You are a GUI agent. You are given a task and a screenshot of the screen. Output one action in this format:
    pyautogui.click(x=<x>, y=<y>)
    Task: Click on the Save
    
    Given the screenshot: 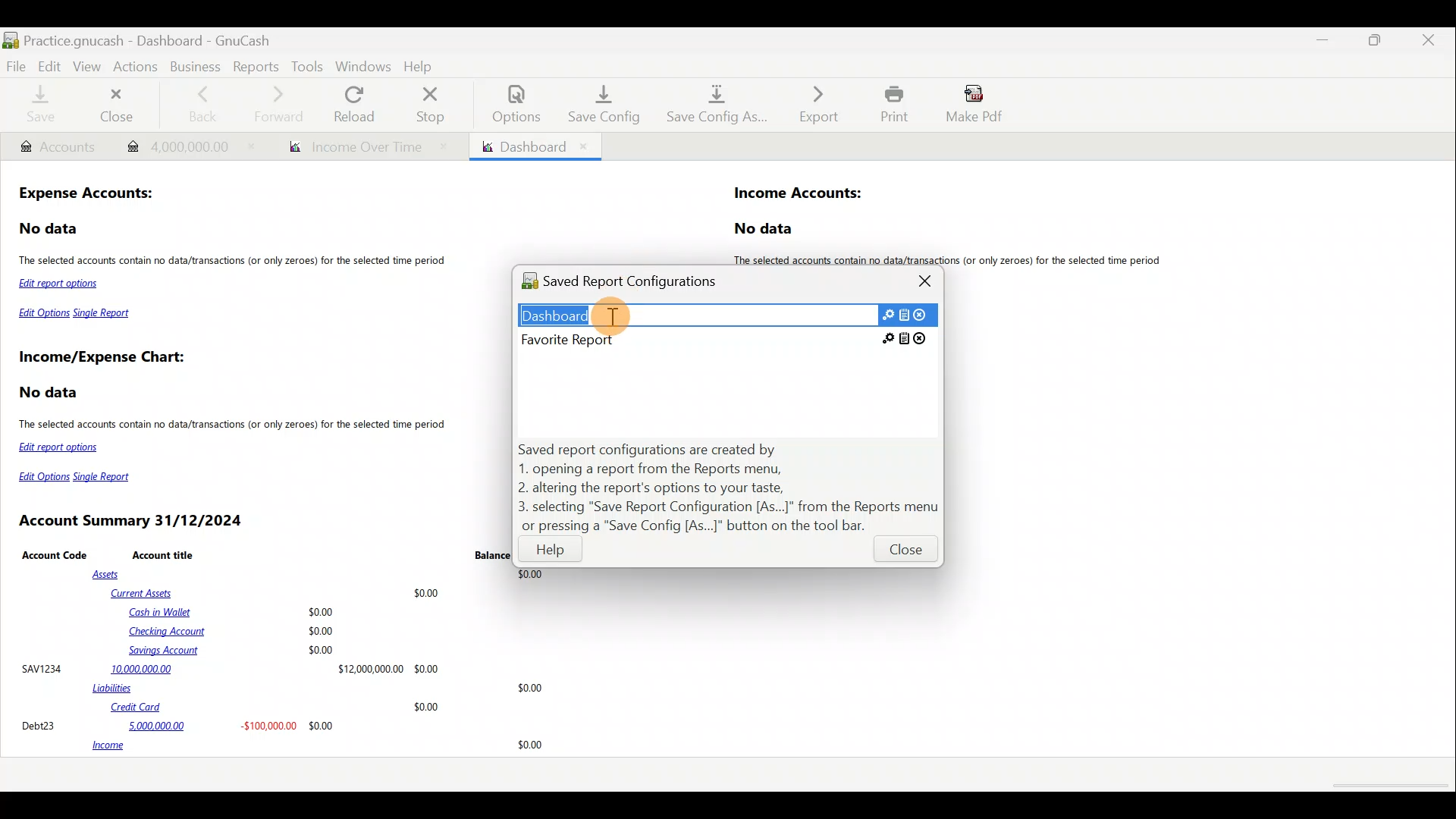 What is the action you would take?
    pyautogui.click(x=40, y=106)
    